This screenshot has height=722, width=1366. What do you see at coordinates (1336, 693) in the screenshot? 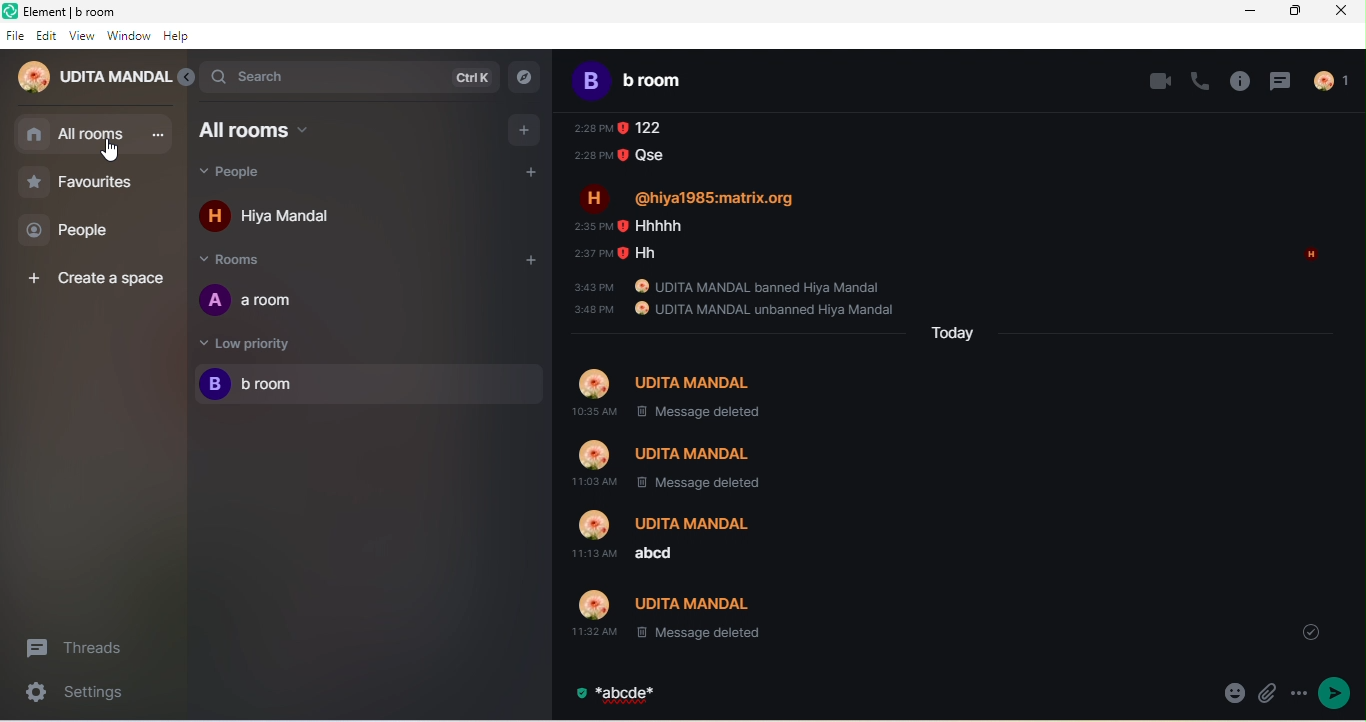
I see `send message` at bounding box center [1336, 693].